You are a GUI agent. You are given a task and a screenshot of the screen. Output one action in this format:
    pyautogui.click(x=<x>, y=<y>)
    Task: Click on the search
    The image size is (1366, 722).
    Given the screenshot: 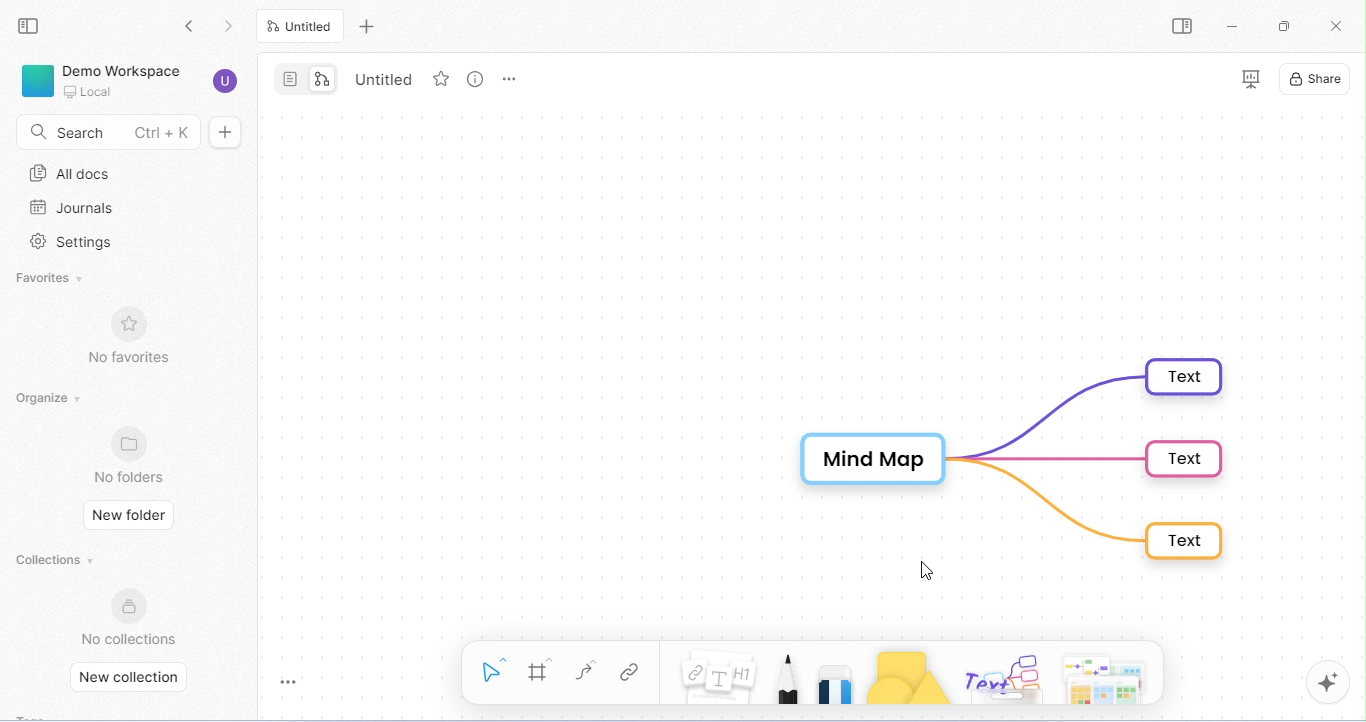 What is the action you would take?
    pyautogui.click(x=103, y=133)
    